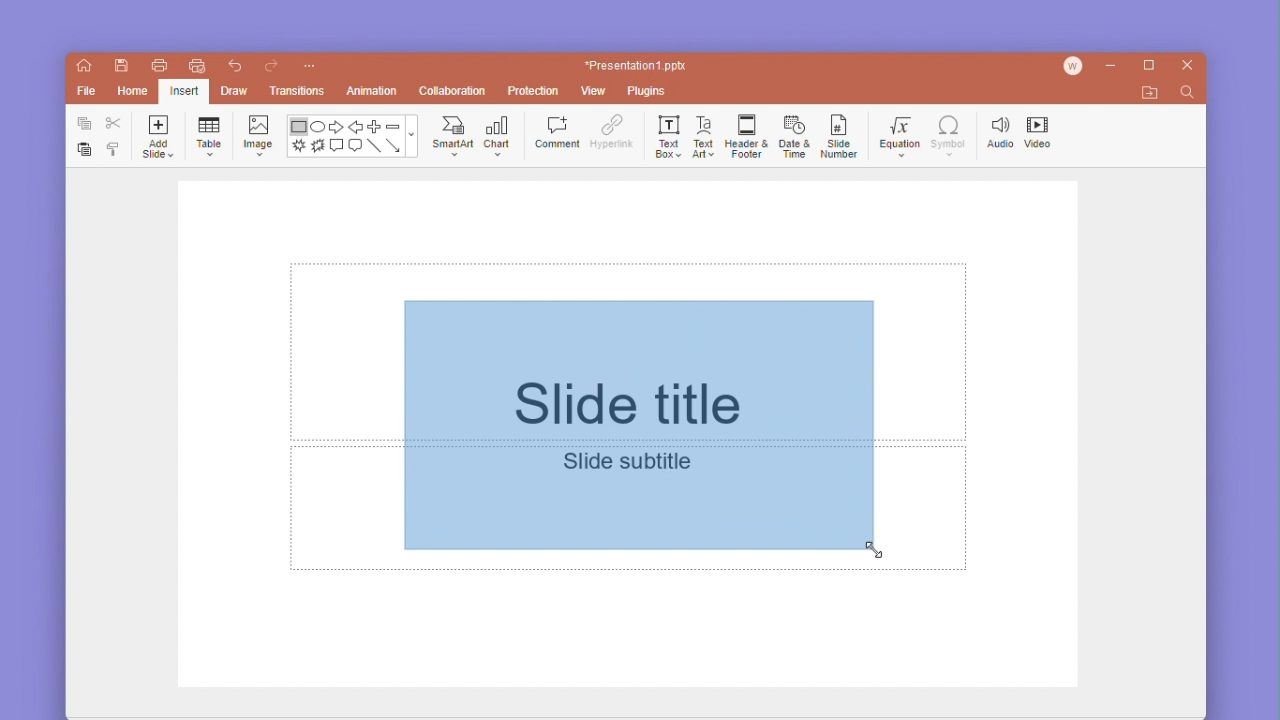 The image size is (1280, 720). Describe the element at coordinates (1075, 67) in the screenshot. I see `account icon` at that location.